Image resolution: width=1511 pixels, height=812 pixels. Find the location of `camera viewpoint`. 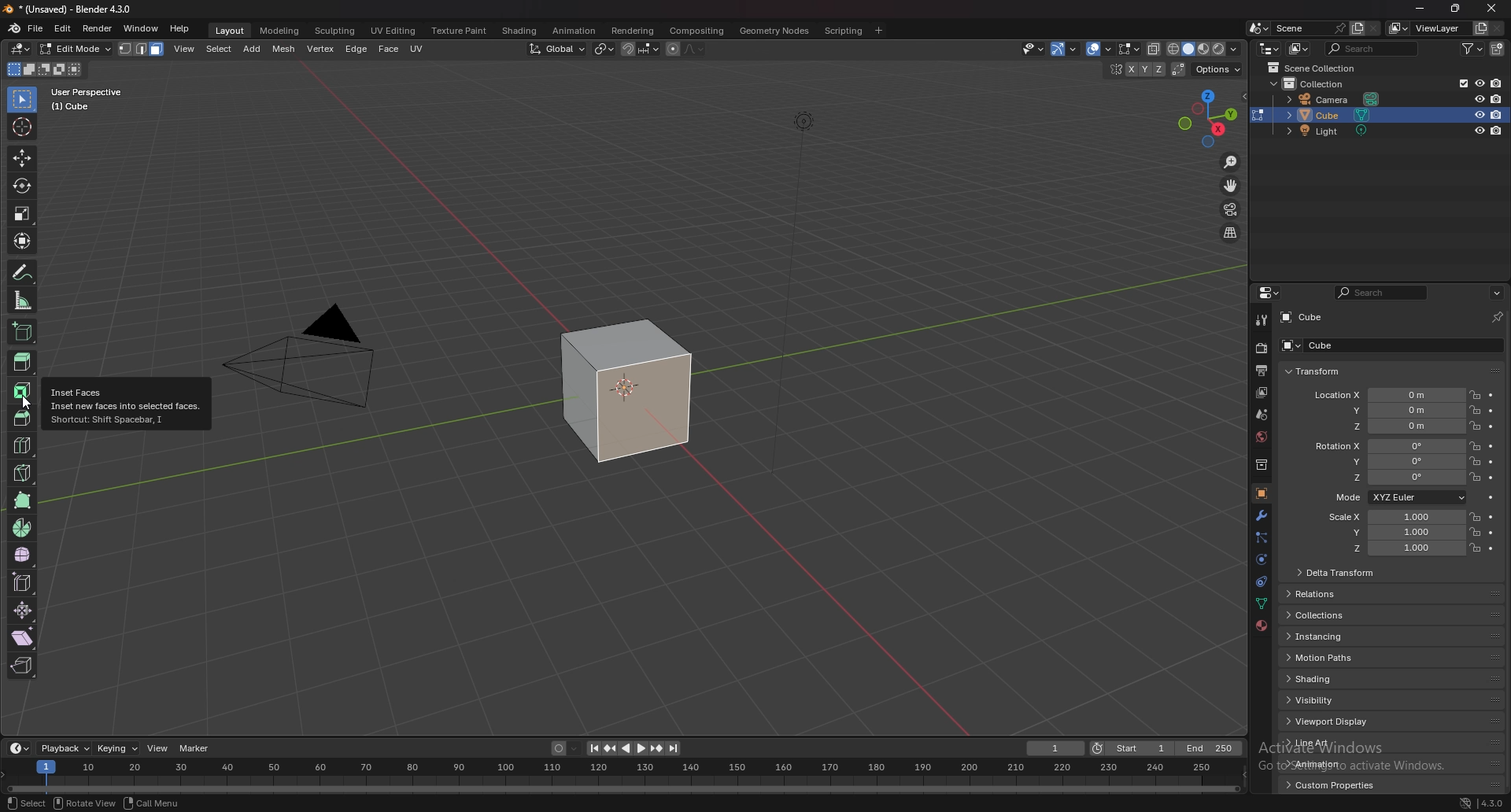

camera viewpoint is located at coordinates (1230, 210).